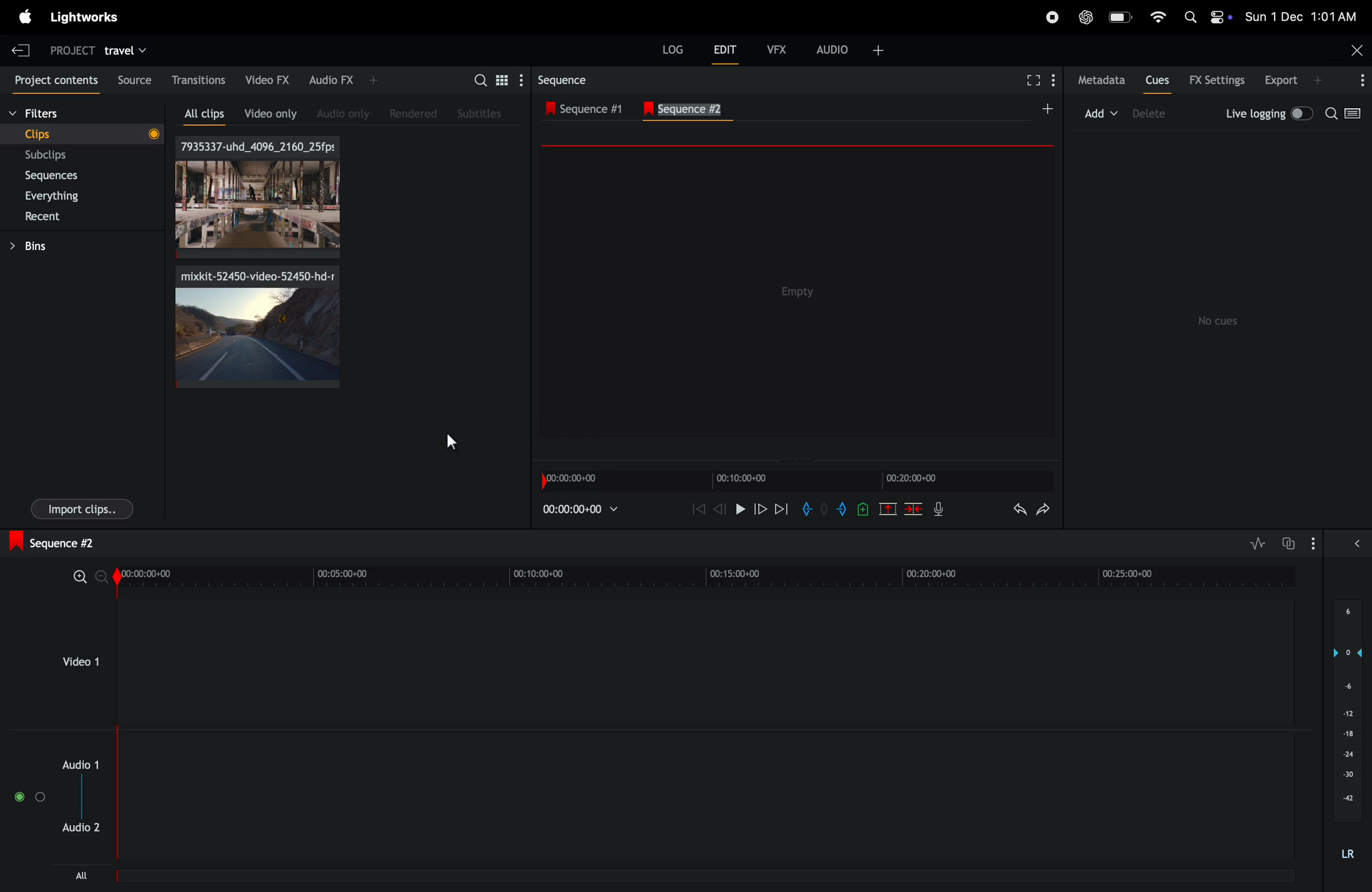  What do you see at coordinates (888, 508) in the screenshot?
I see `cut` at bounding box center [888, 508].